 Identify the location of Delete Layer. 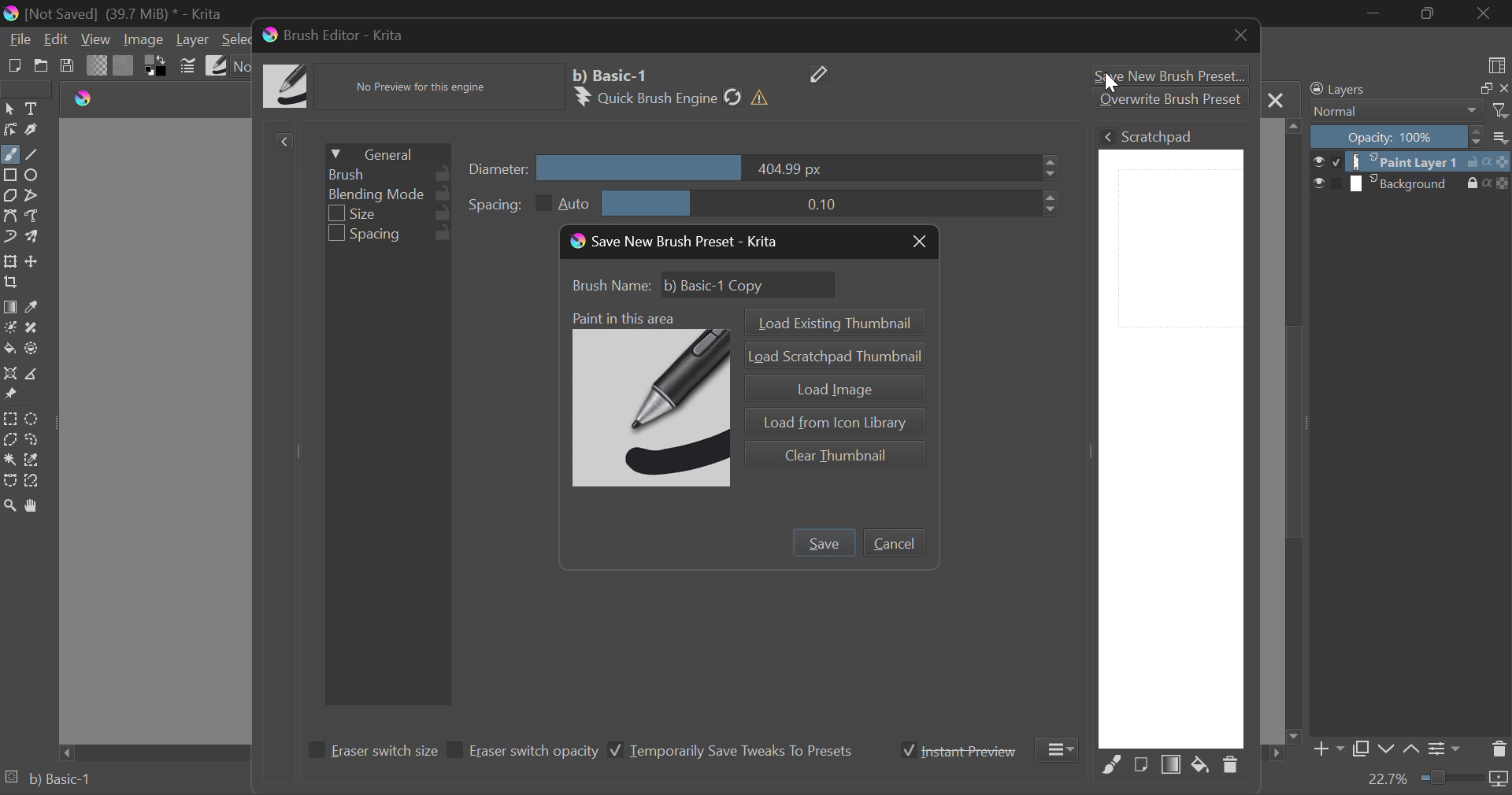
(1499, 748).